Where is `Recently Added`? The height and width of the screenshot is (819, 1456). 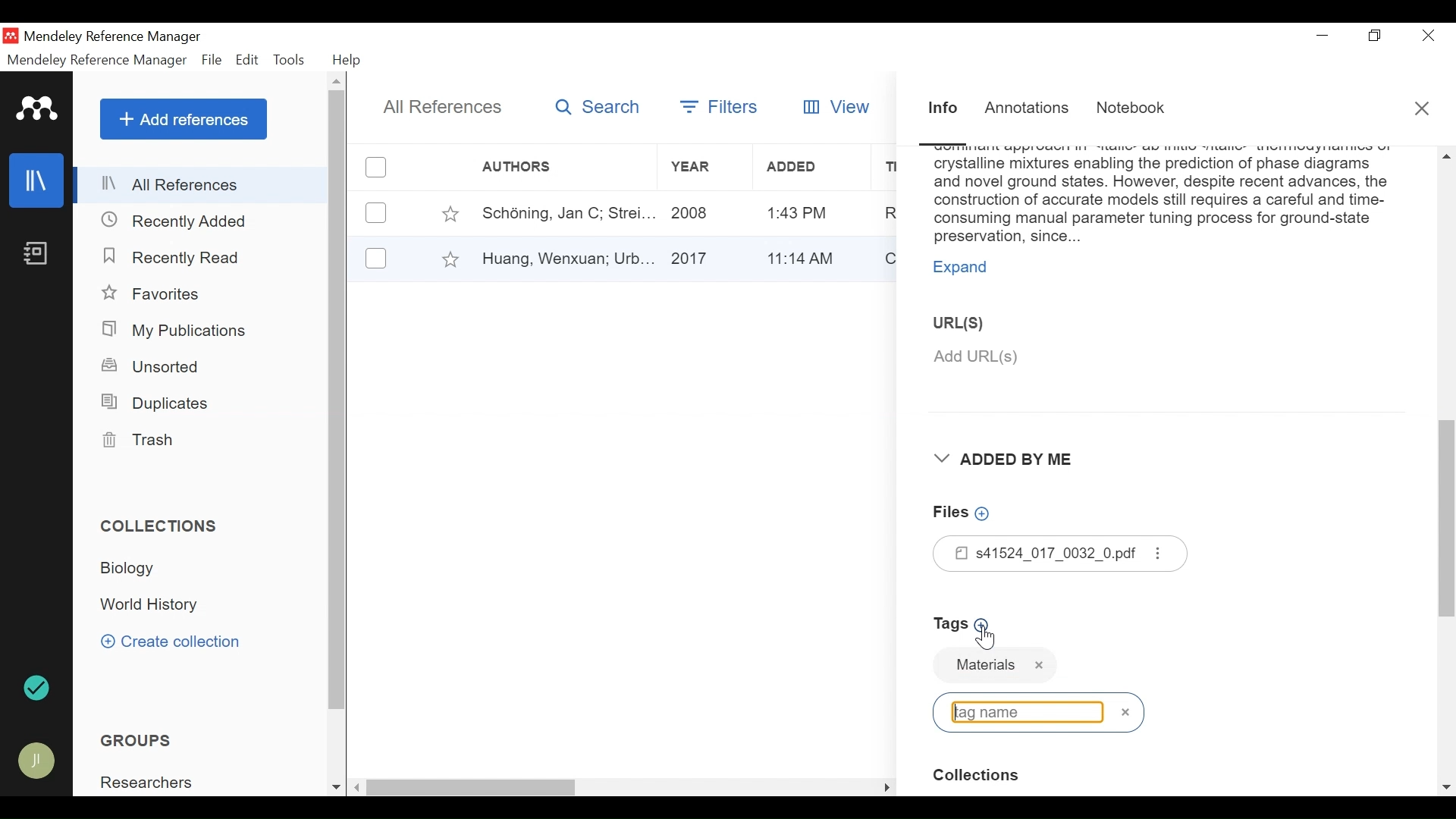
Recently Added is located at coordinates (176, 222).